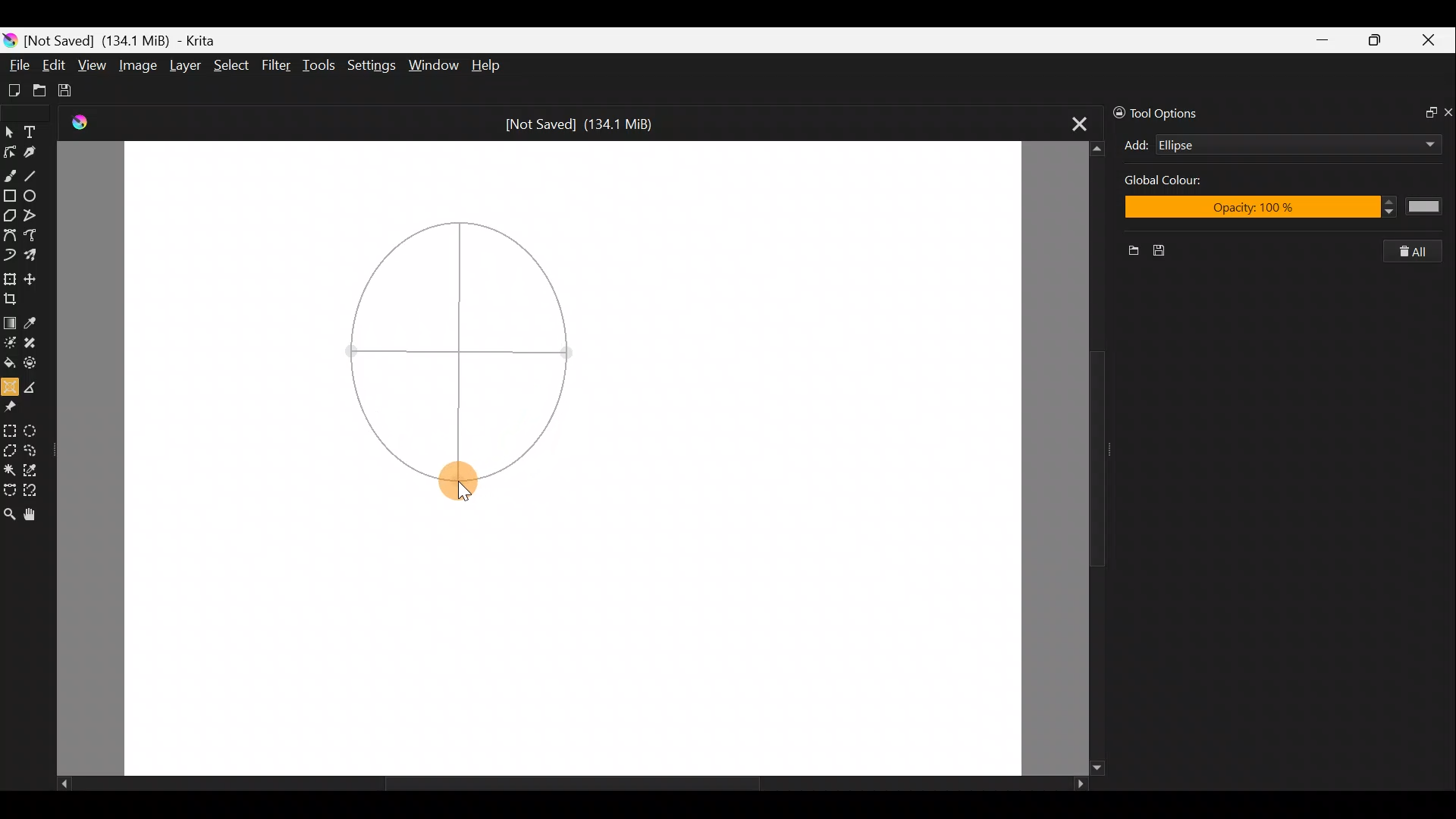  Describe the element at coordinates (1324, 39) in the screenshot. I see `Minimize` at that location.